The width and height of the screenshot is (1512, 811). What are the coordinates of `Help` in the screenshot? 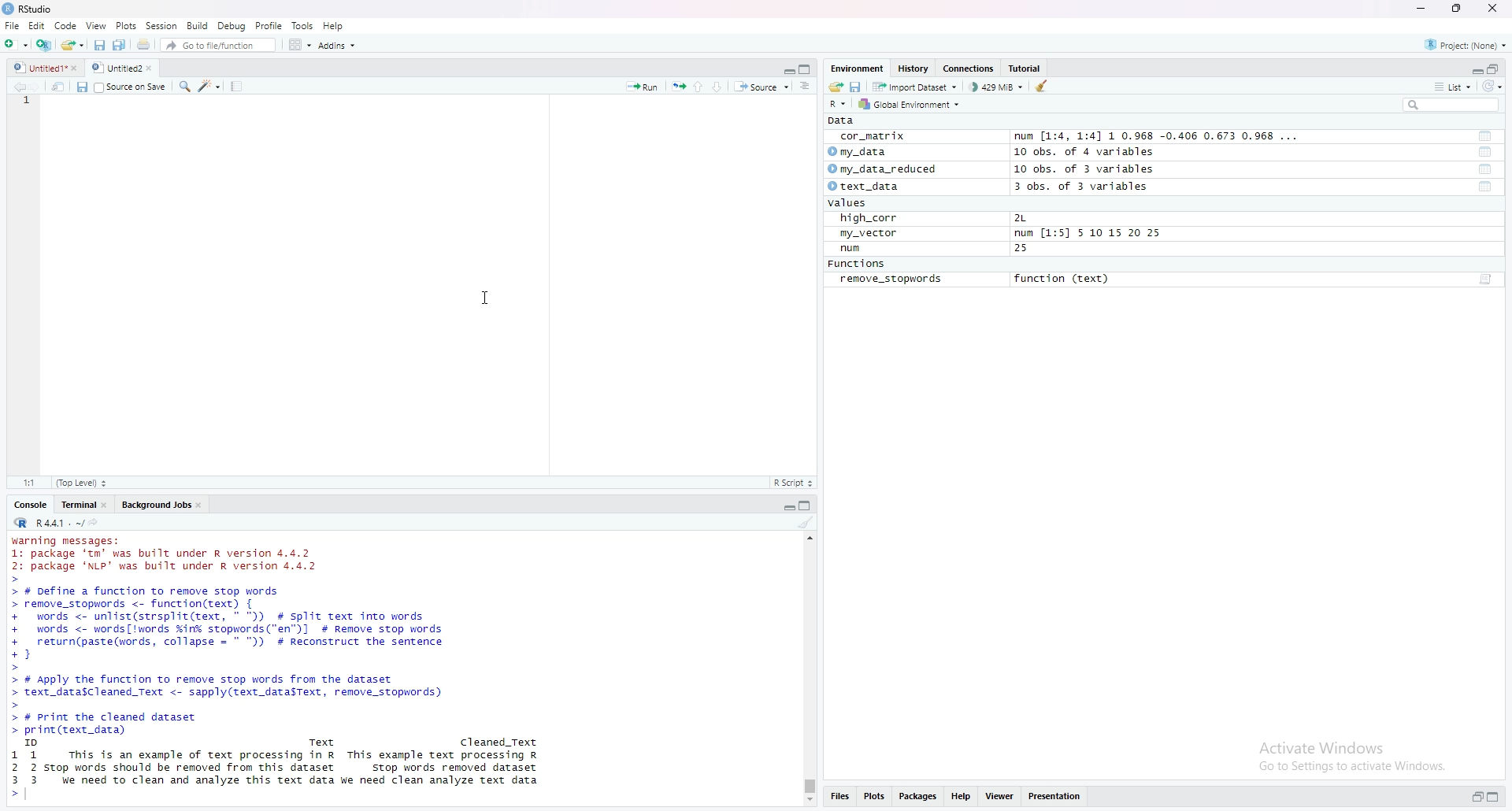 It's located at (334, 25).